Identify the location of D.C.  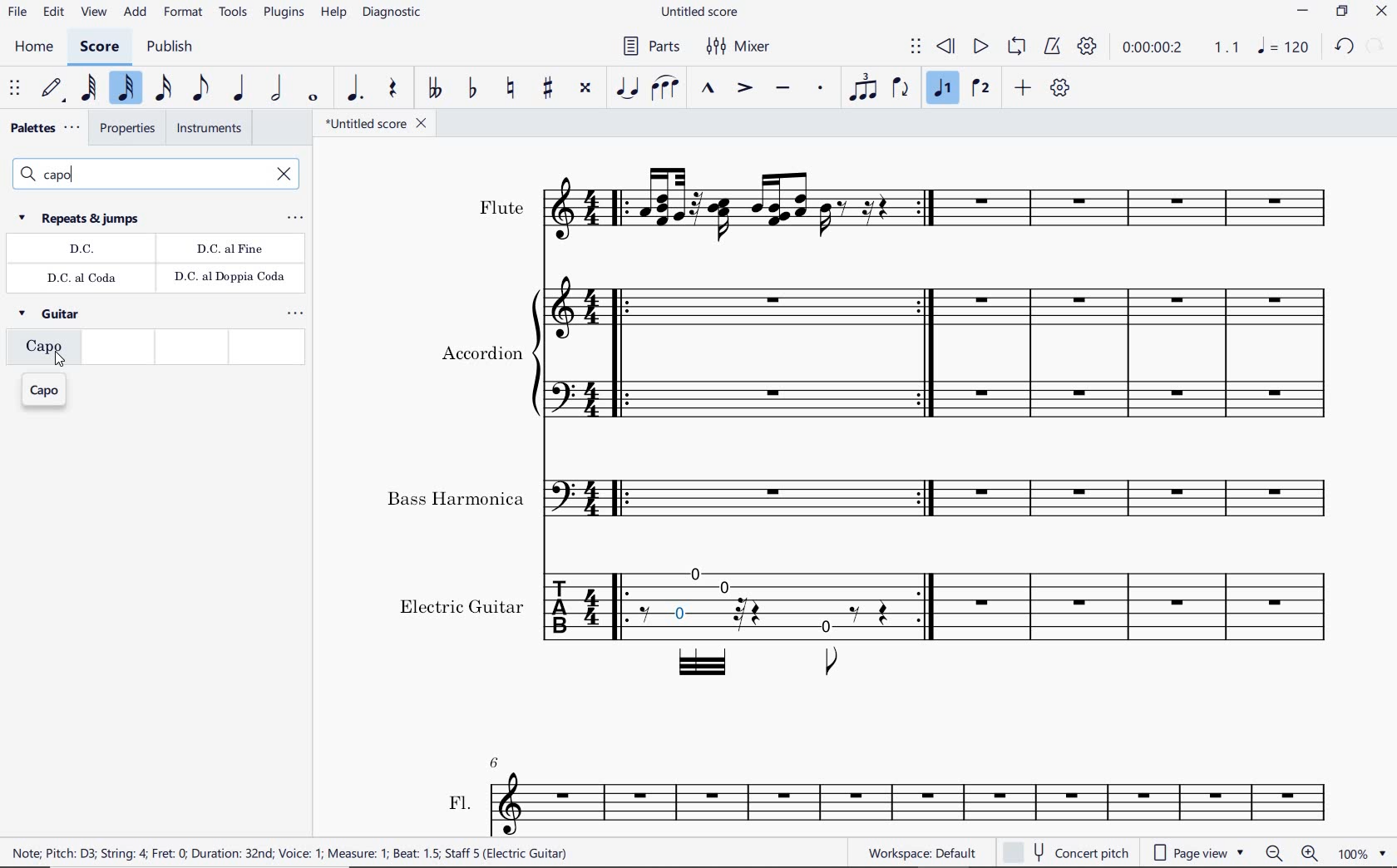
(81, 250).